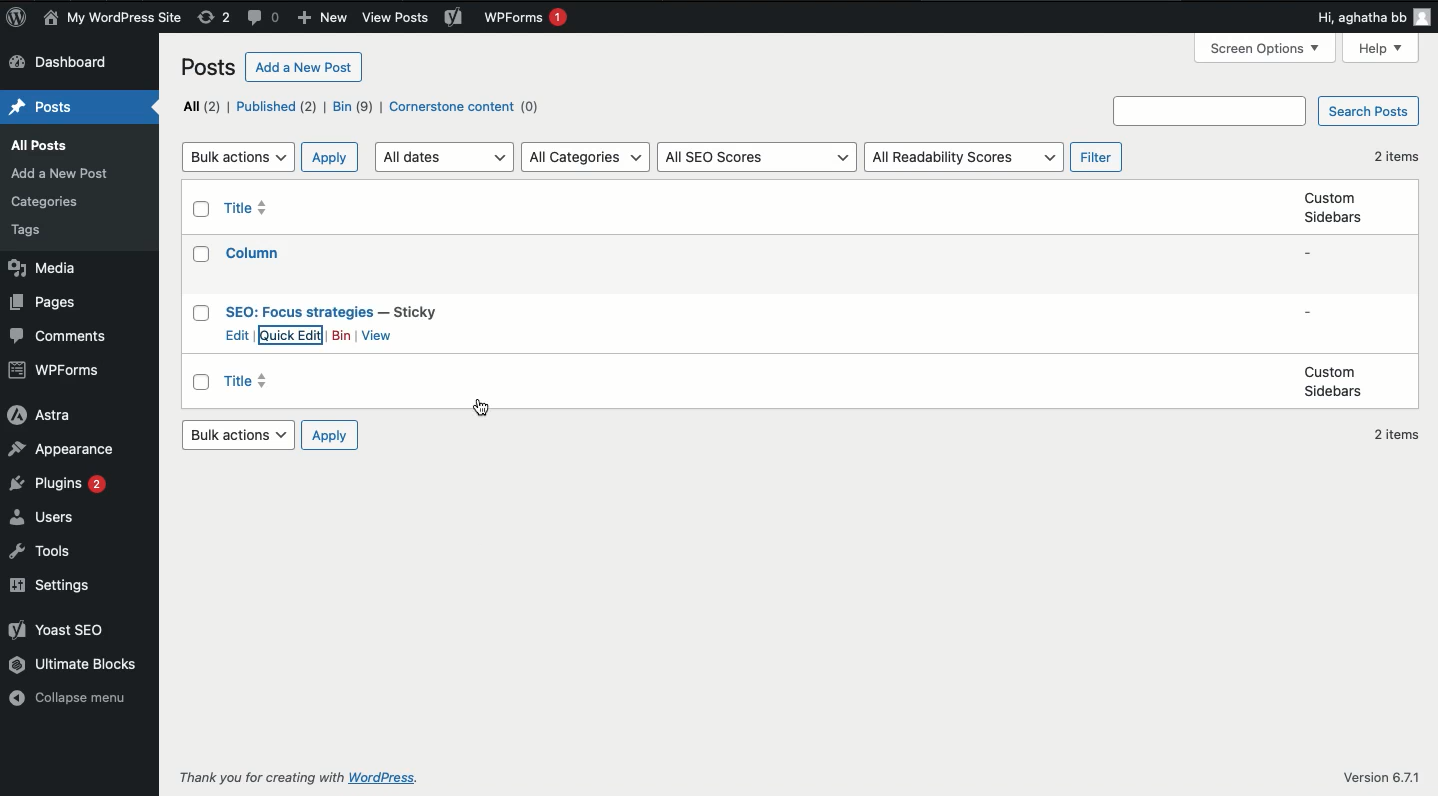  What do you see at coordinates (214, 18) in the screenshot?
I see `Revisions` at bounding box center [214, 18].